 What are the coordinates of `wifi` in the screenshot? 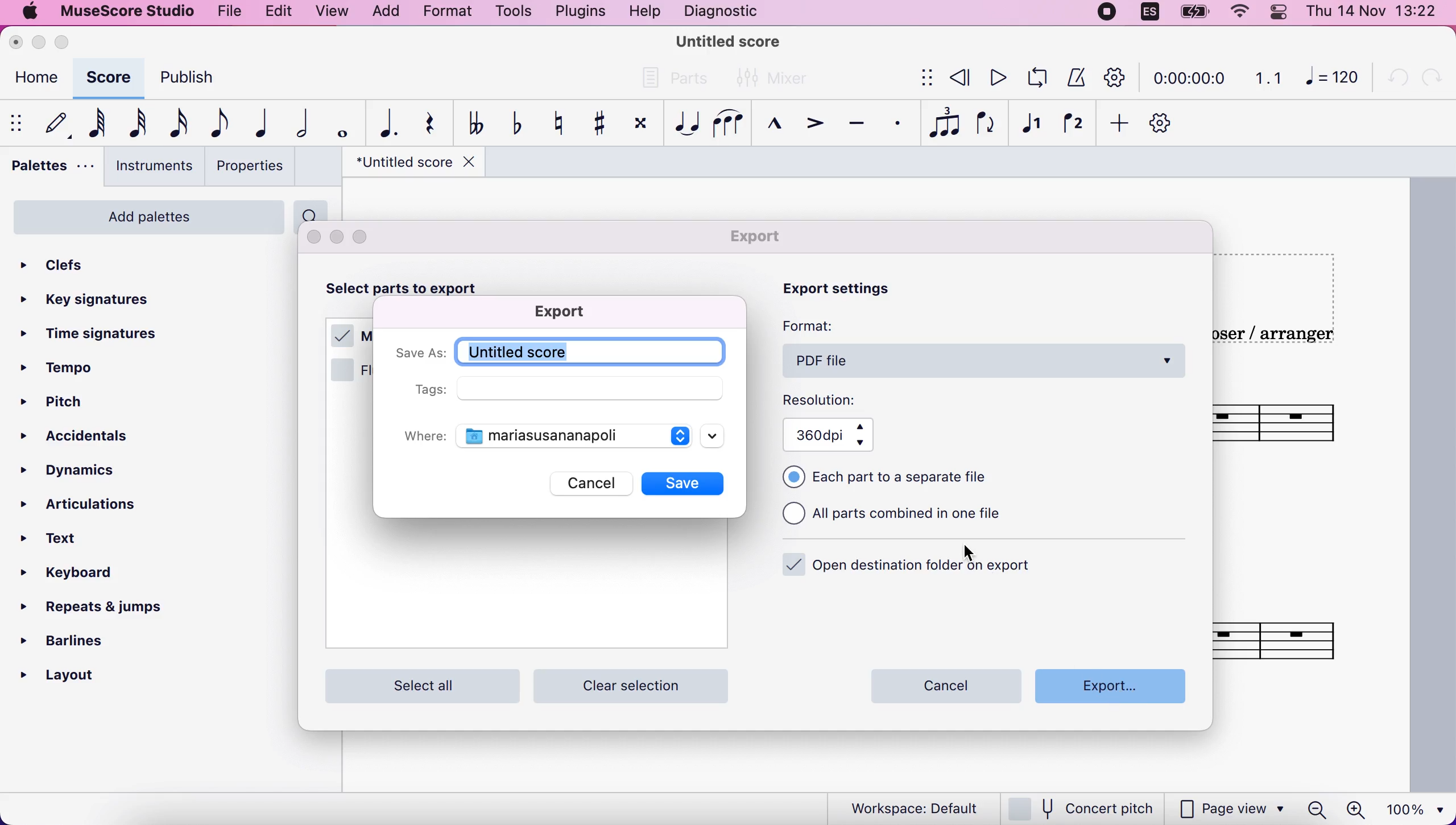 It's located at (1230, 13).